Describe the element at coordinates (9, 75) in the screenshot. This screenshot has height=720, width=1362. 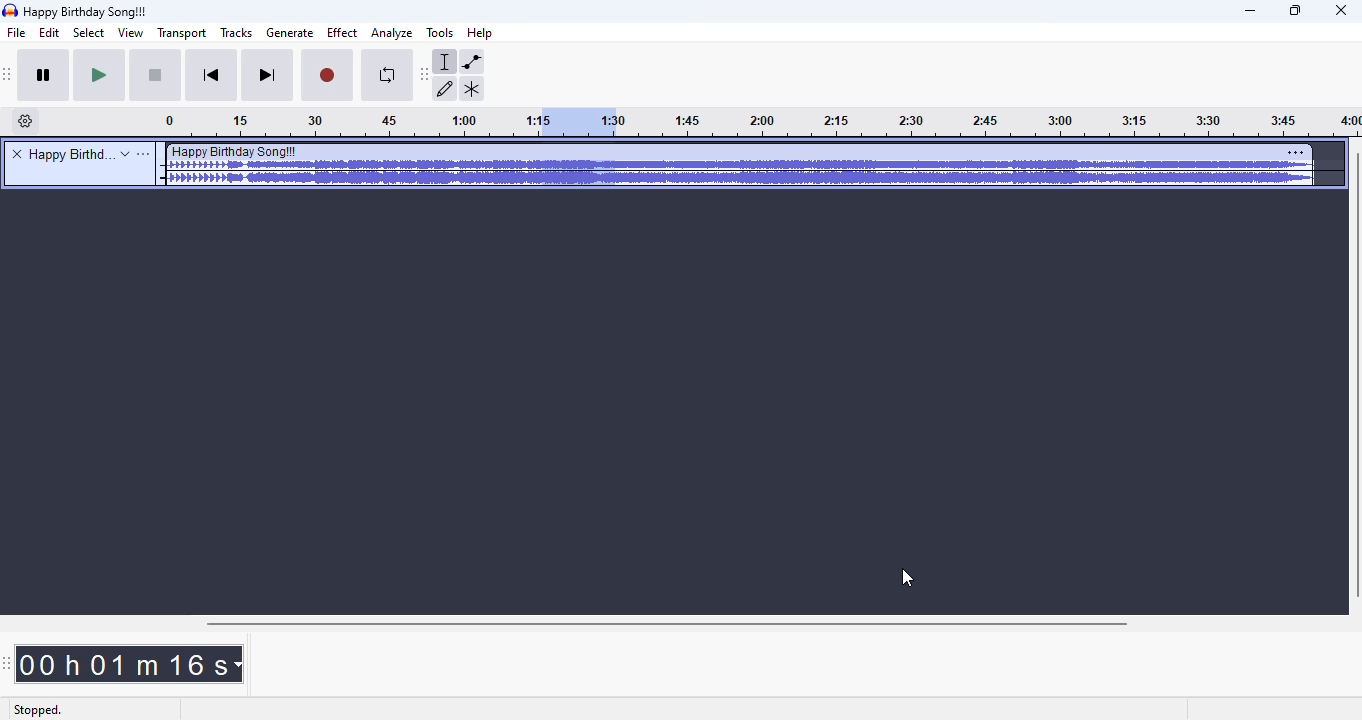
I see `audacity transport toolbar` at that location.